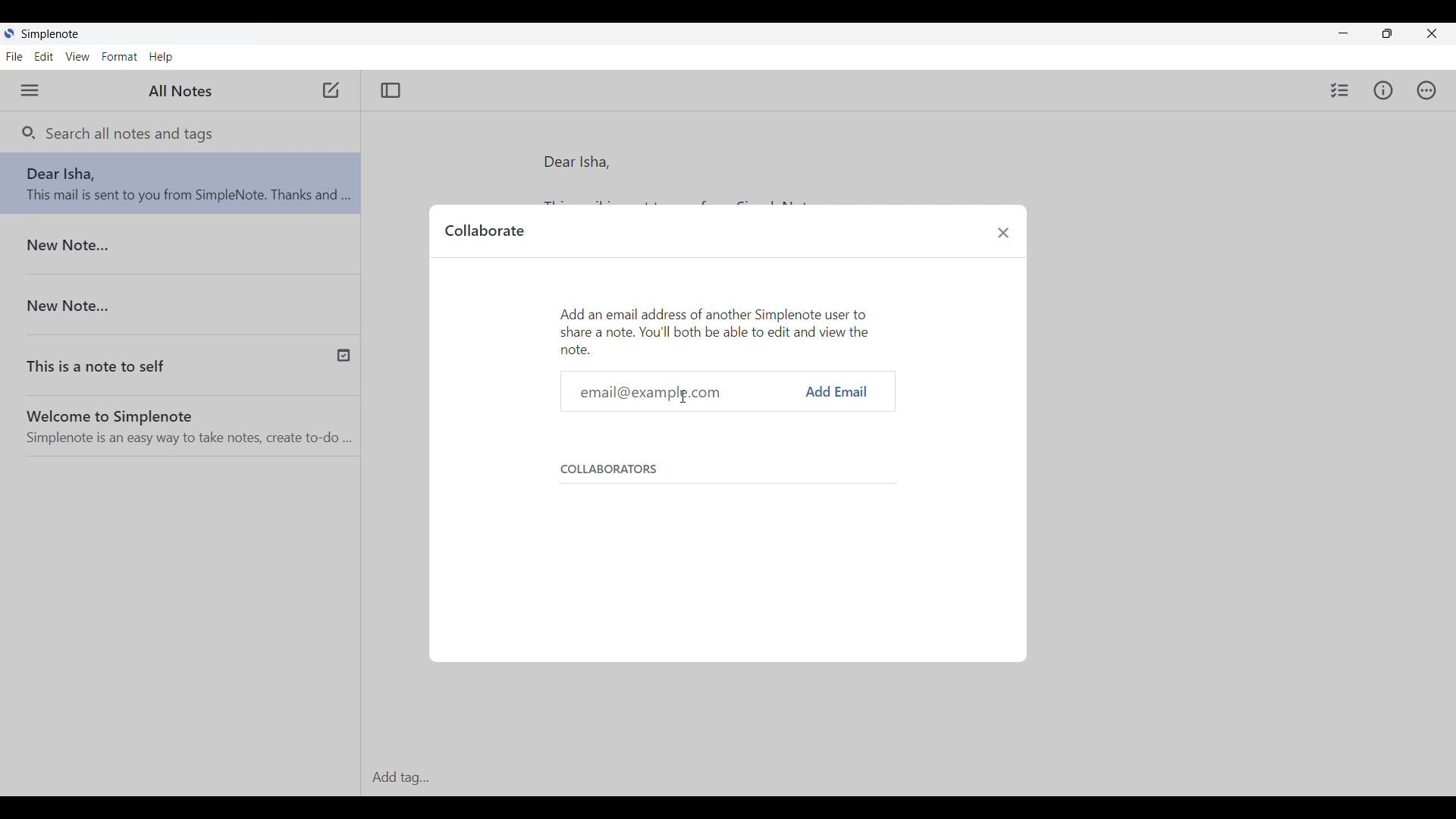  What do you see at coordinates (681, 391) in the screenshot?
I see `Click to type in or paste email ID ` at bounding box center [681, 391].